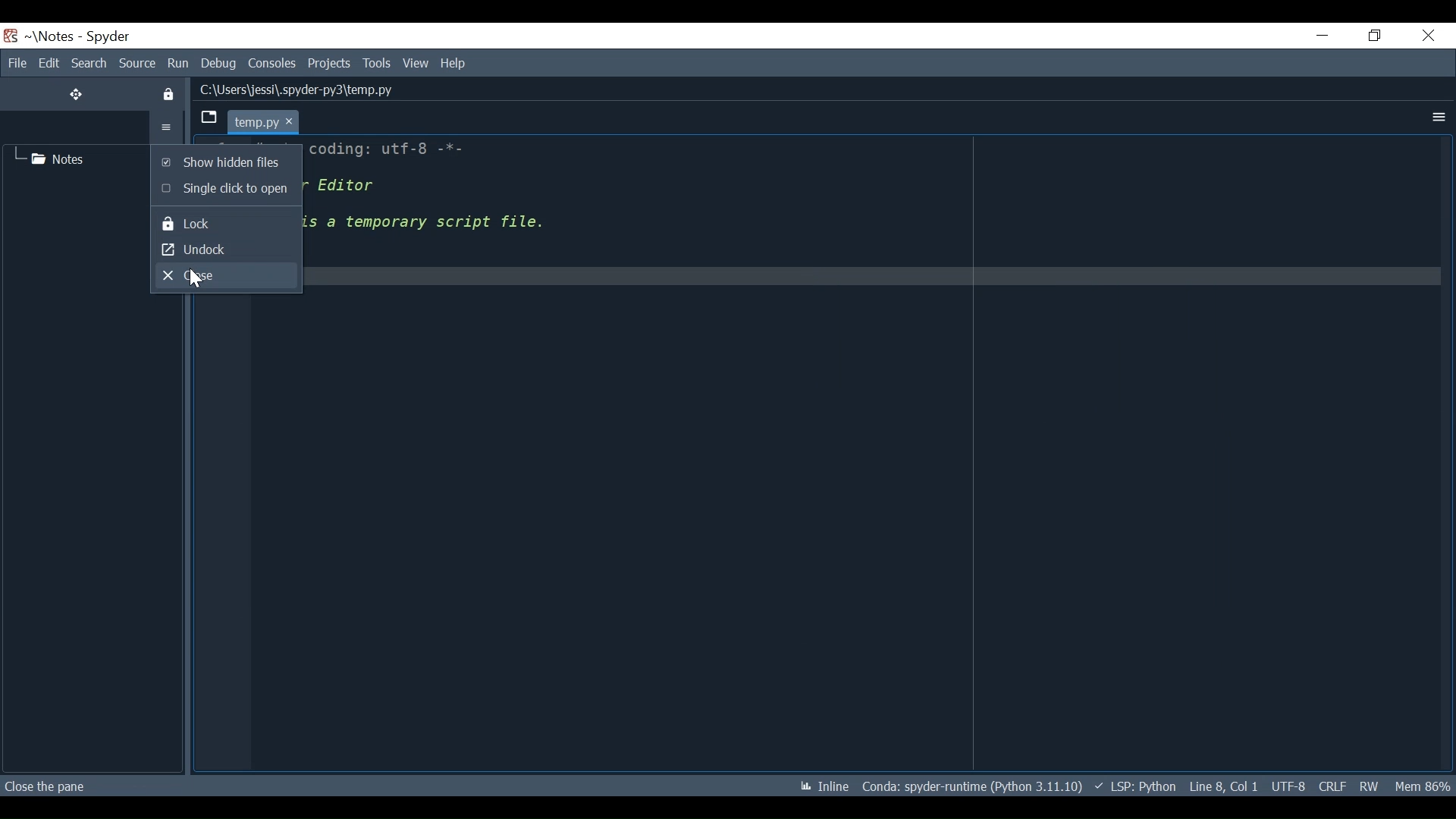 The height and width of the screenshot is (819, 1456). What do you see at coordinates (207, 118) in the screenshot?
I see `Browse Tabs` at bounding box center [207, 118].